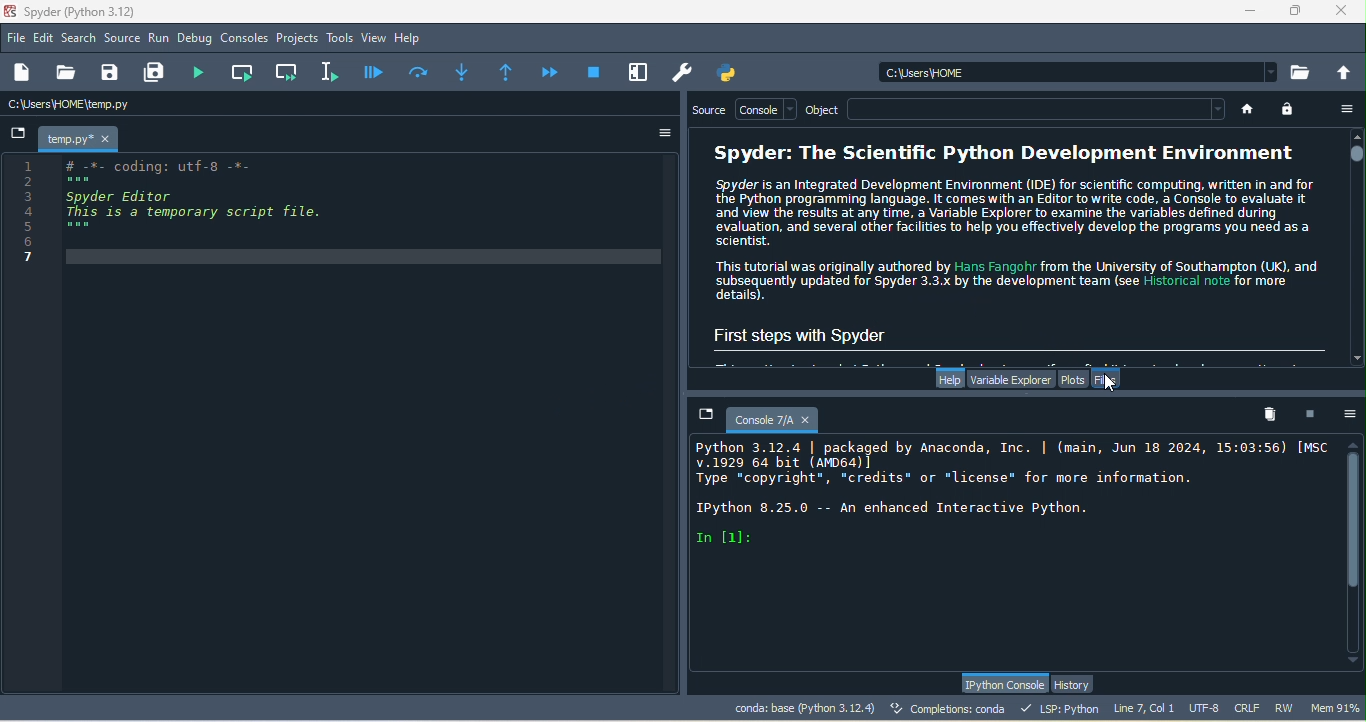 The image size is (1366, 722). What do you see at coordinates (25, 73) in the screenshot?
I see `new` at bounding box center [25, 73].